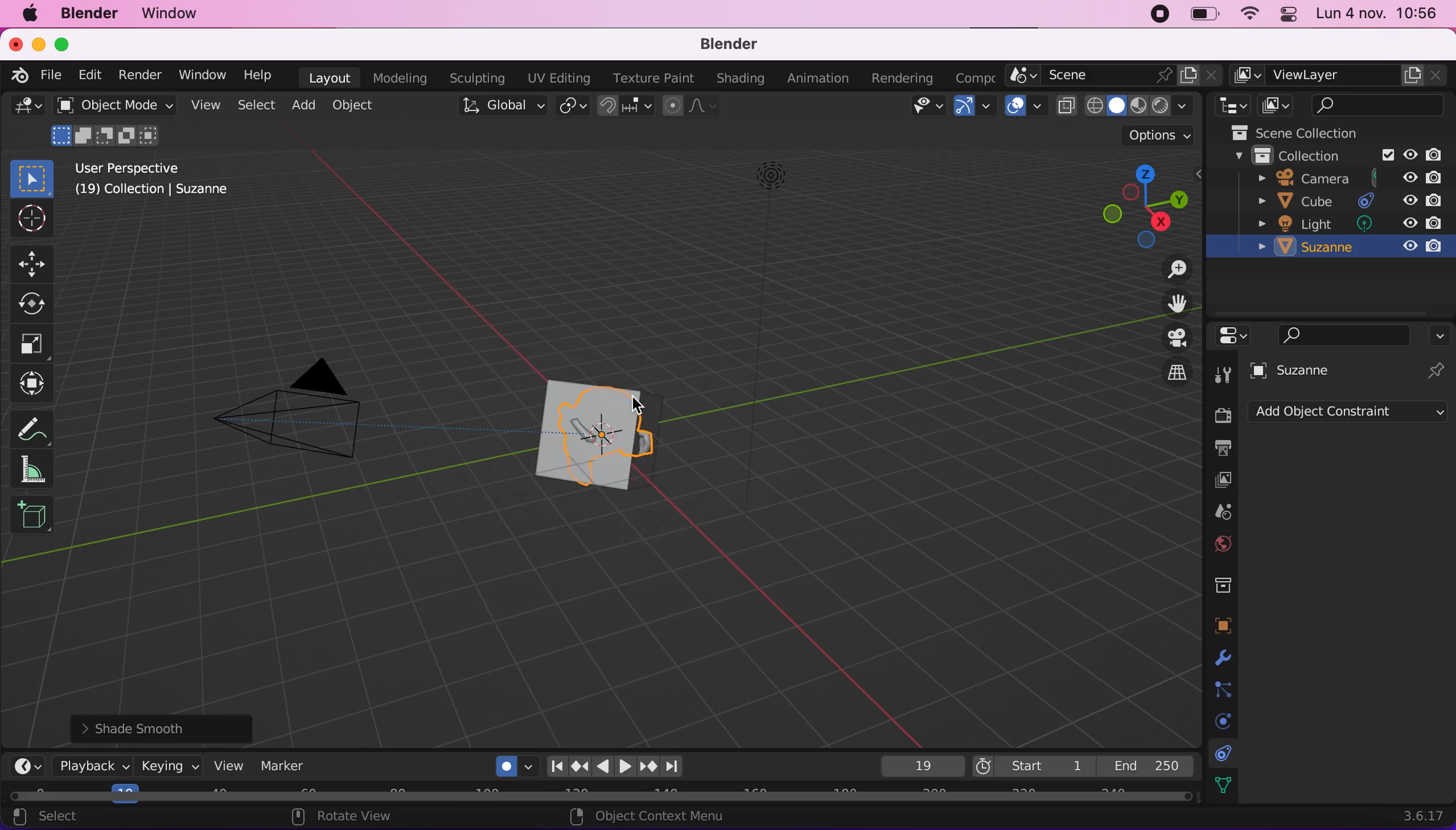 Image resolution: width=1456 pixels, height=830 pixels. Describe the element at coordinates (1223, 783) in the screenshot. I see `data` at that location.